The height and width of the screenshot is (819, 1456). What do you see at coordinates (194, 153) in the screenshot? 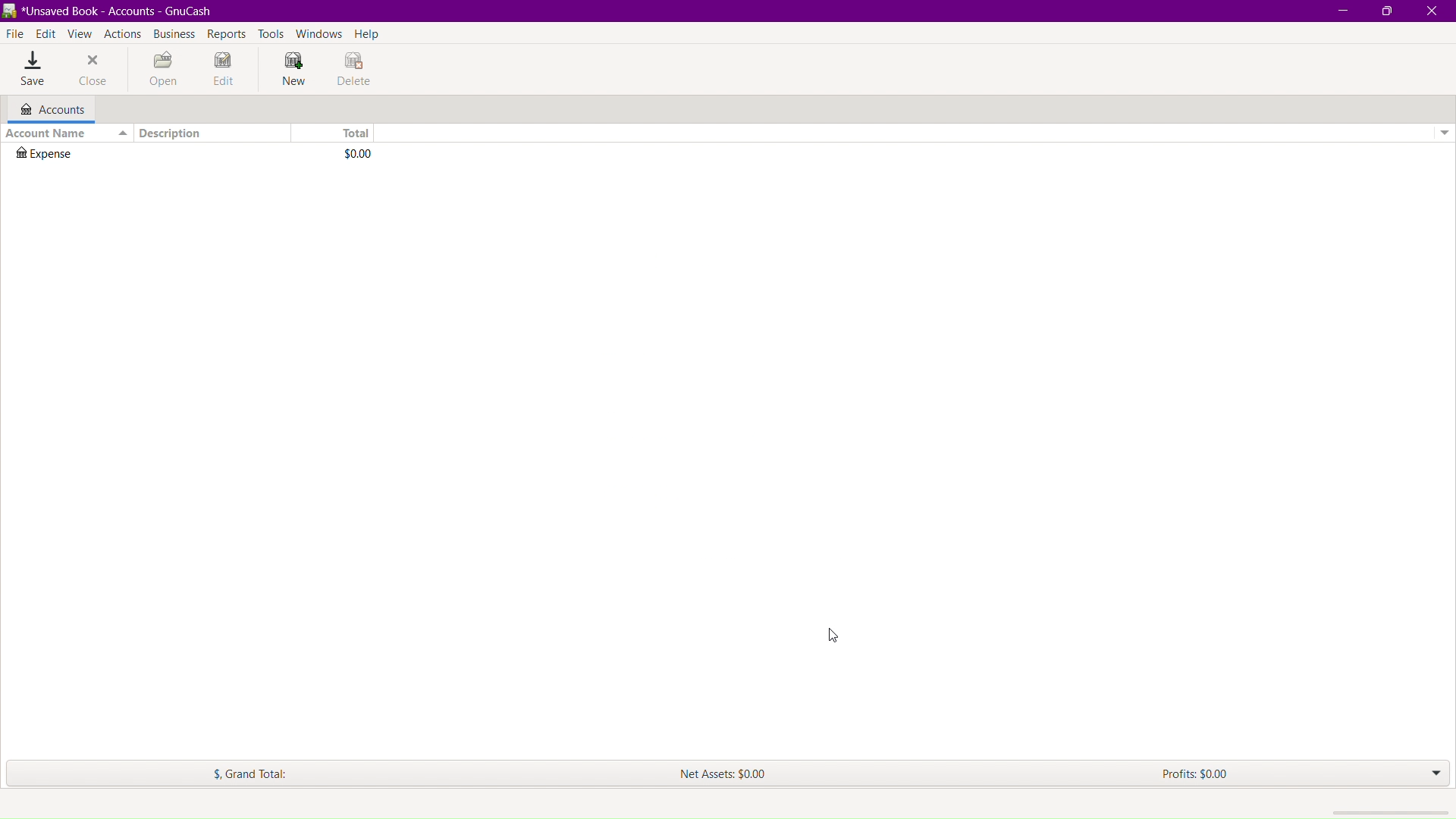
I see `Expense` at bounding box center [194, 153].